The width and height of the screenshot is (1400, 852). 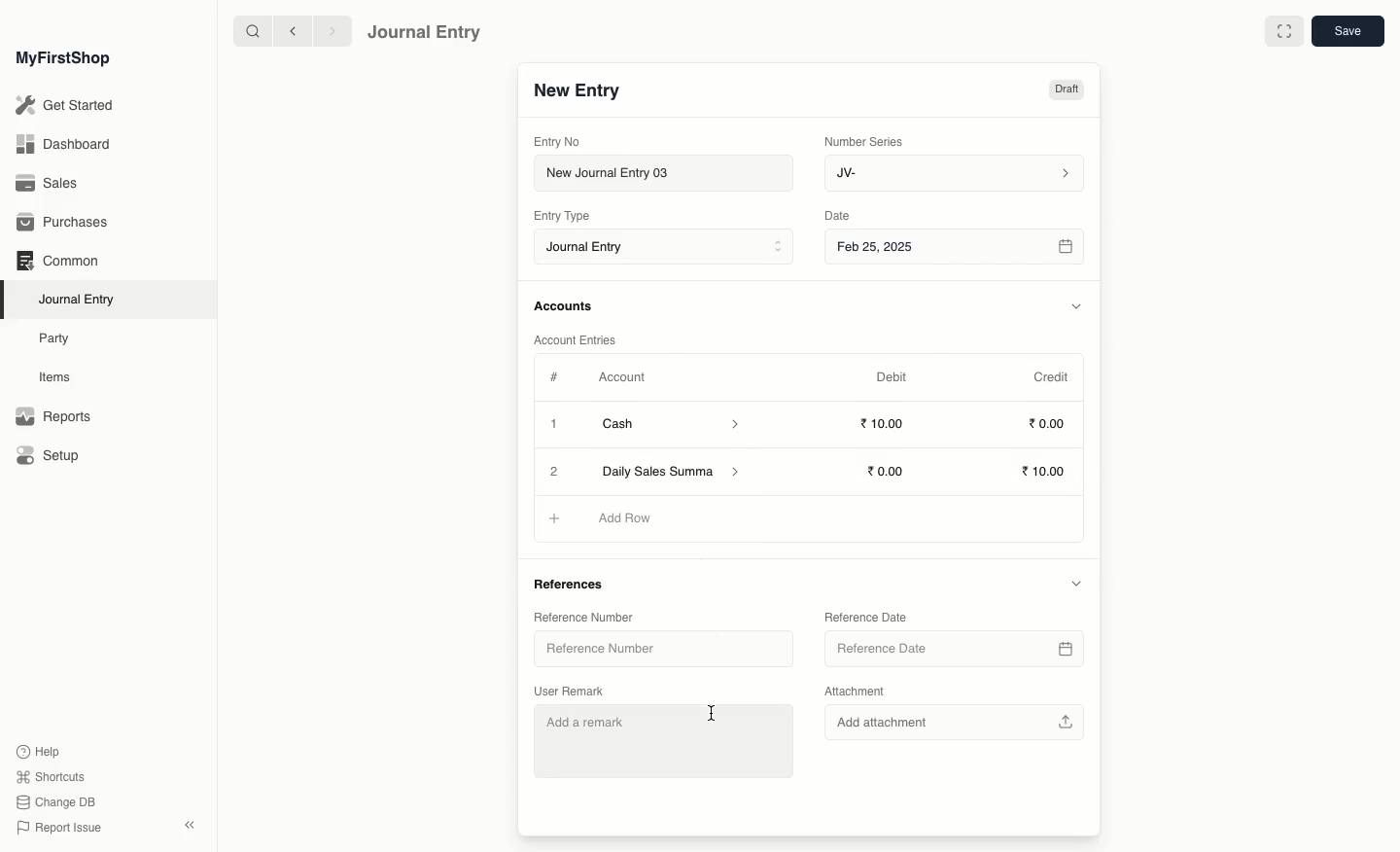 I want to click on 0.00, so click(x=1048, y=427).